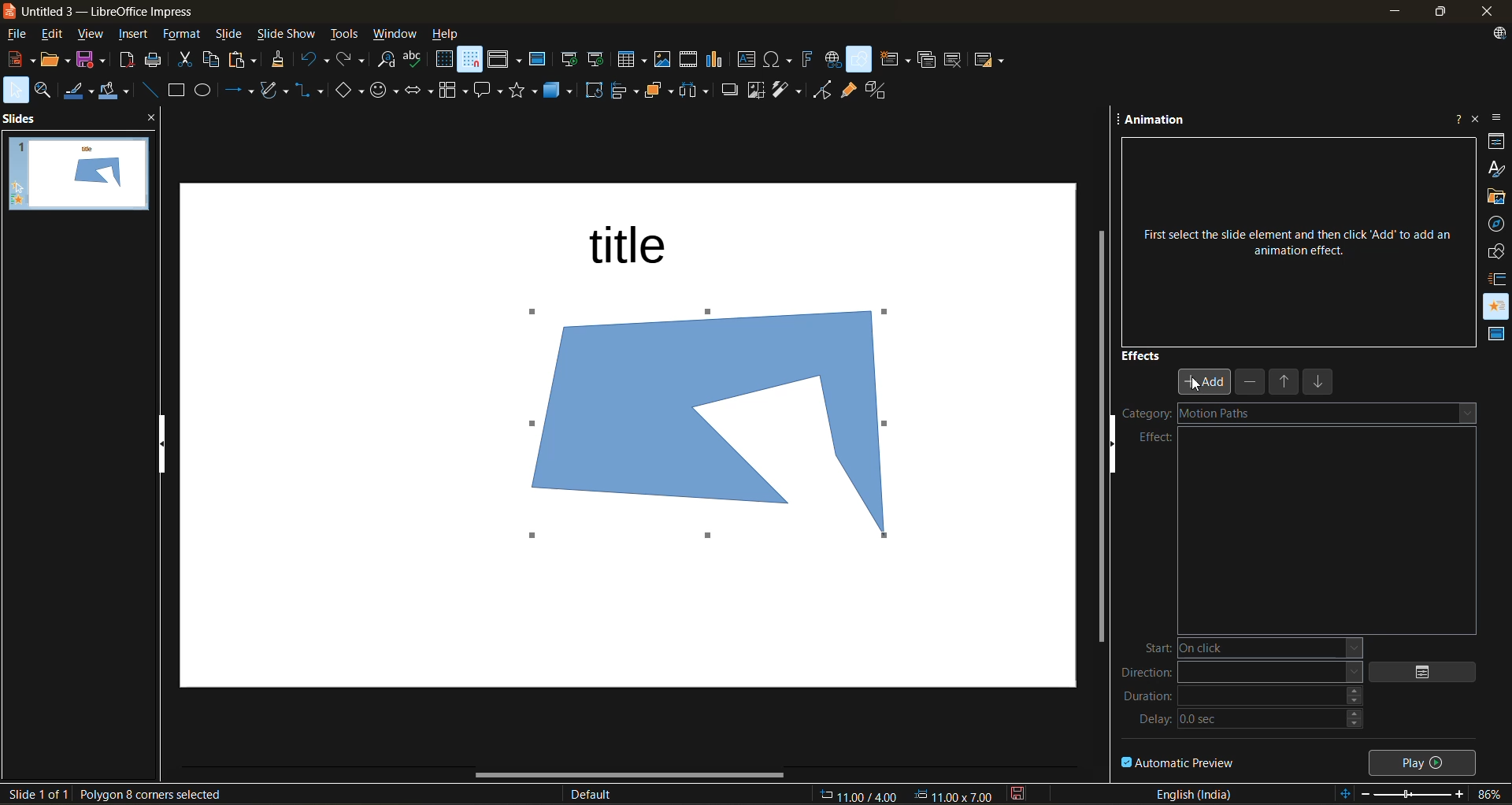 This screenshot has height=805, width=1512. I want to click on table, so click(632, 61).